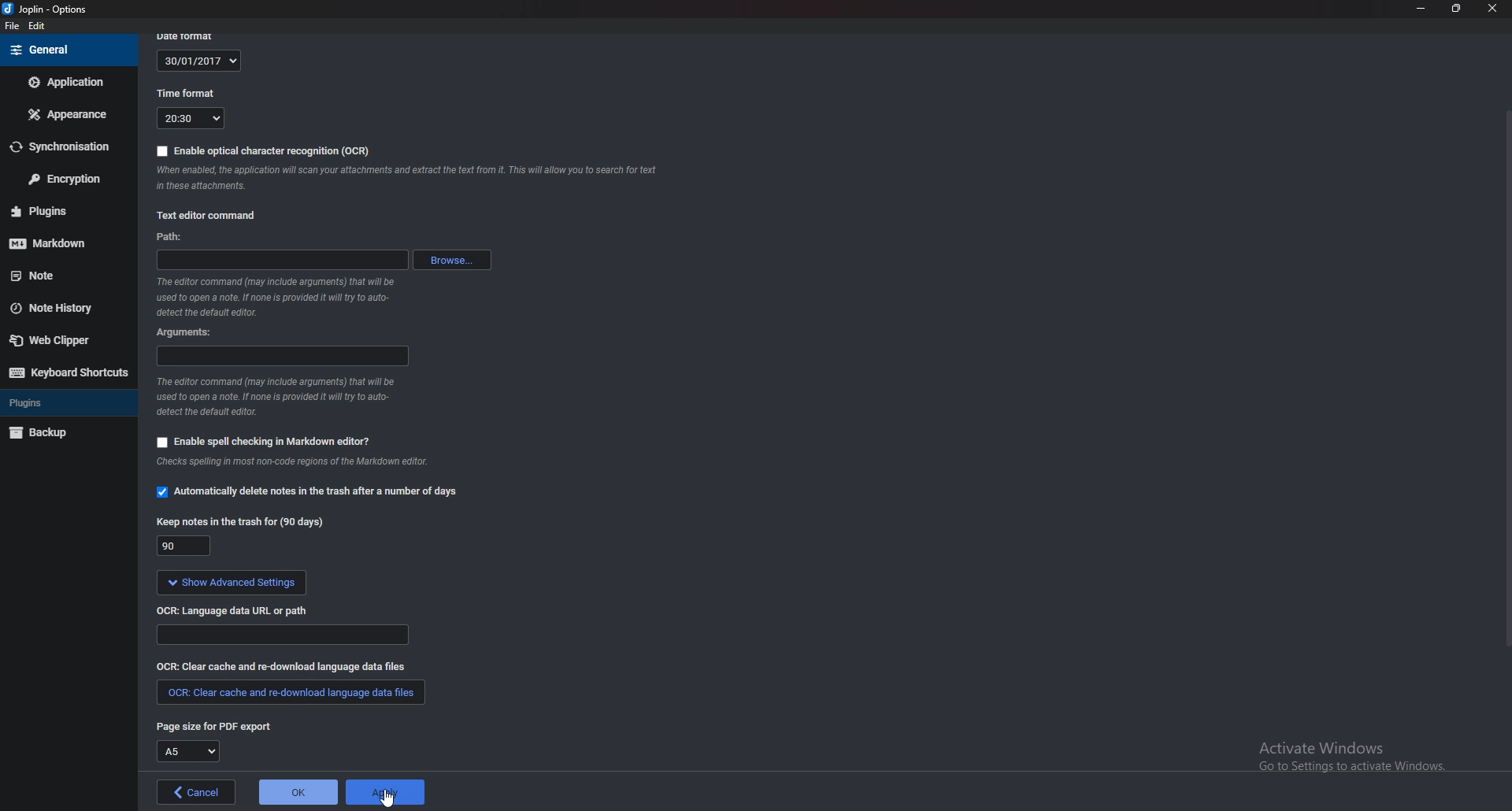 Image resolution: width=1512 pixels, height=811 pixels. Describe the element at coordinates (230, 584) in the screenshot. I see `show advanced settings` at that location.